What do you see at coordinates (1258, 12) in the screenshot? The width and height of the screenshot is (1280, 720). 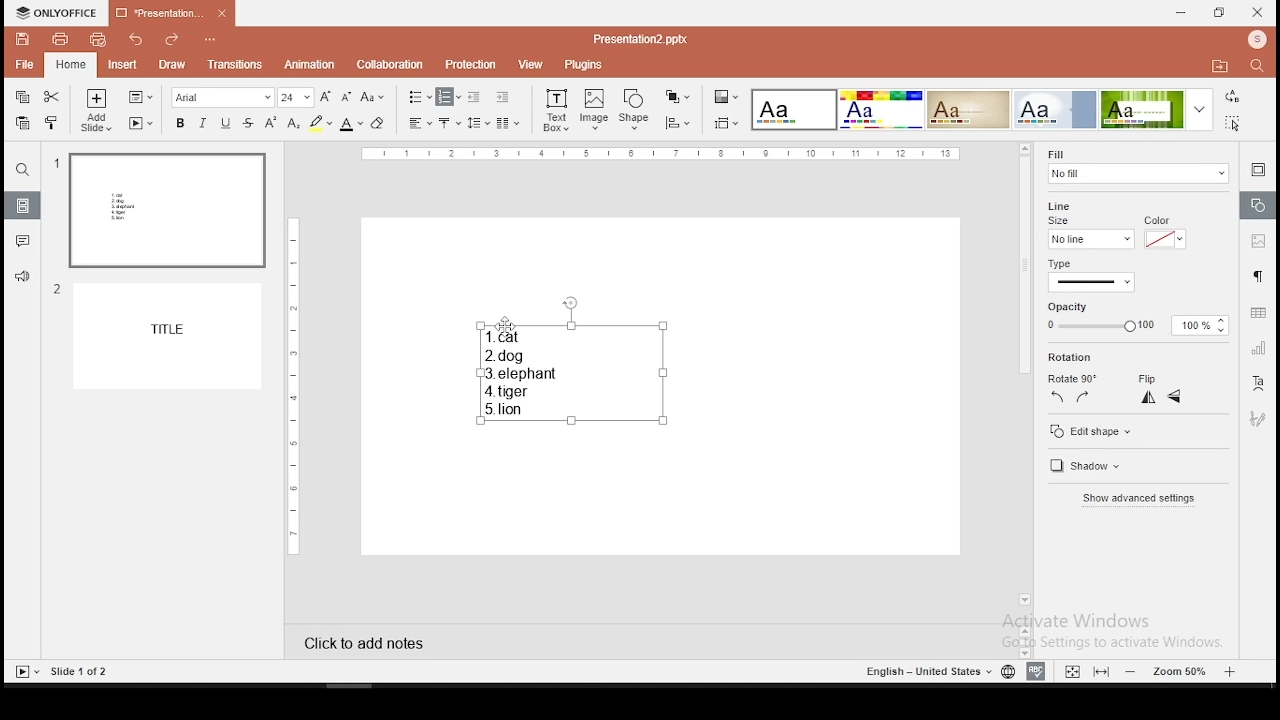 I see `close window` at bounding box center [1258, 12].